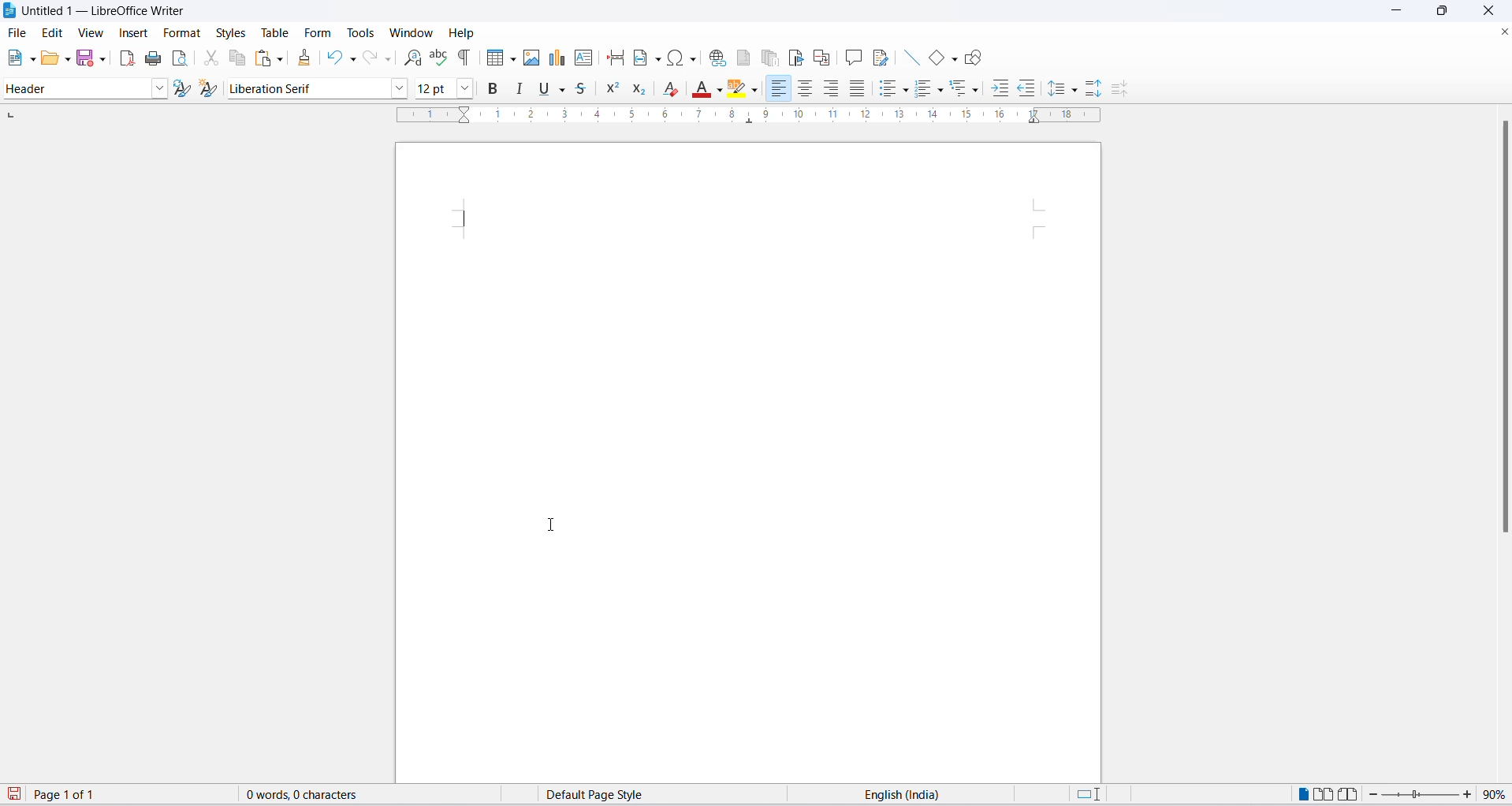  What do you see at coordinates (181, 88) in the screenshot?
I see `update selected style` at bounding box center [181, 88].